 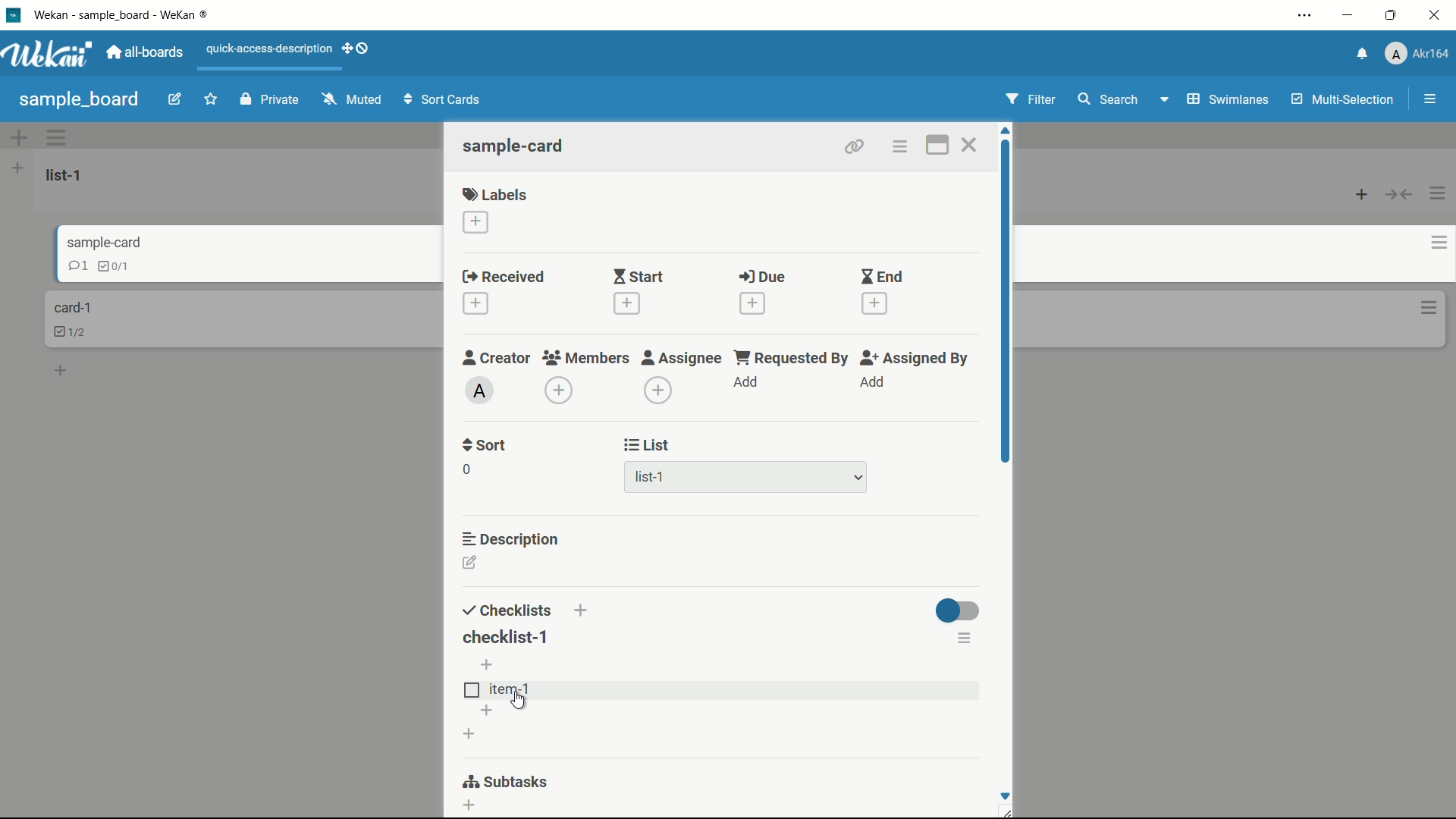 What do you see at coordinates (488, 665) in the screenshot?
I see `add item` at bounding box center [488, 665].